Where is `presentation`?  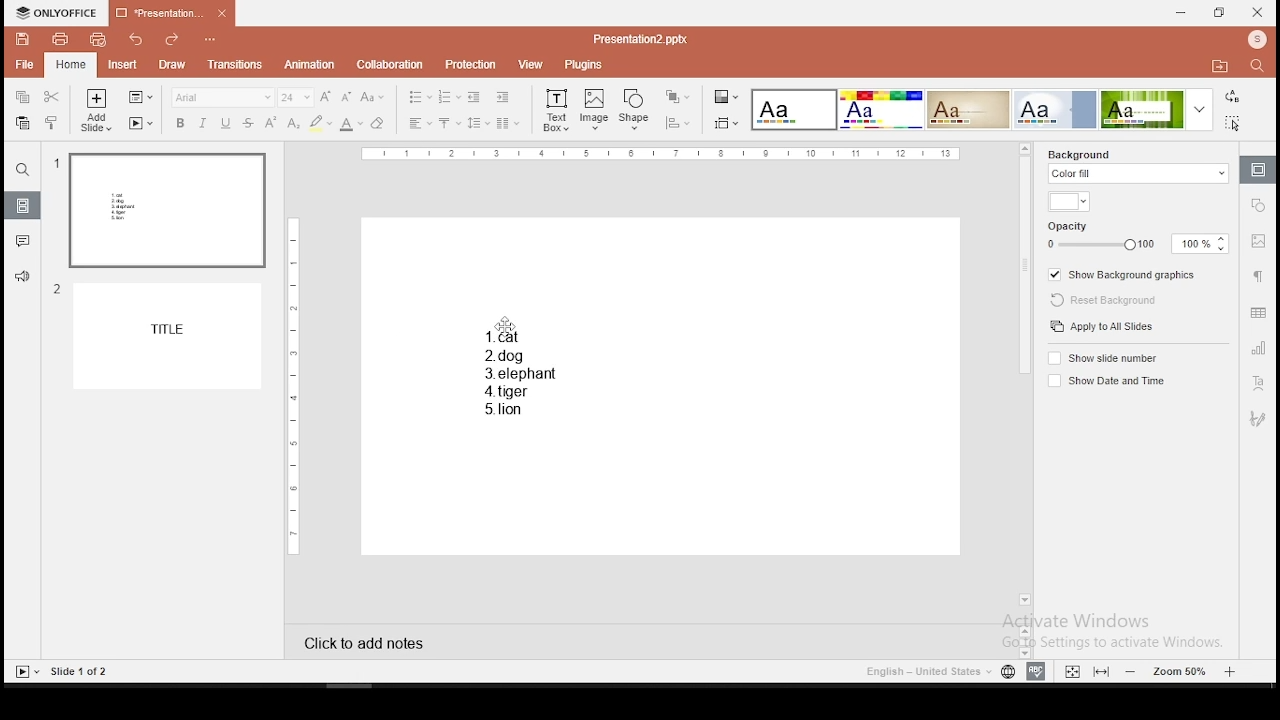
presentation is located at coordinates (172, 14).